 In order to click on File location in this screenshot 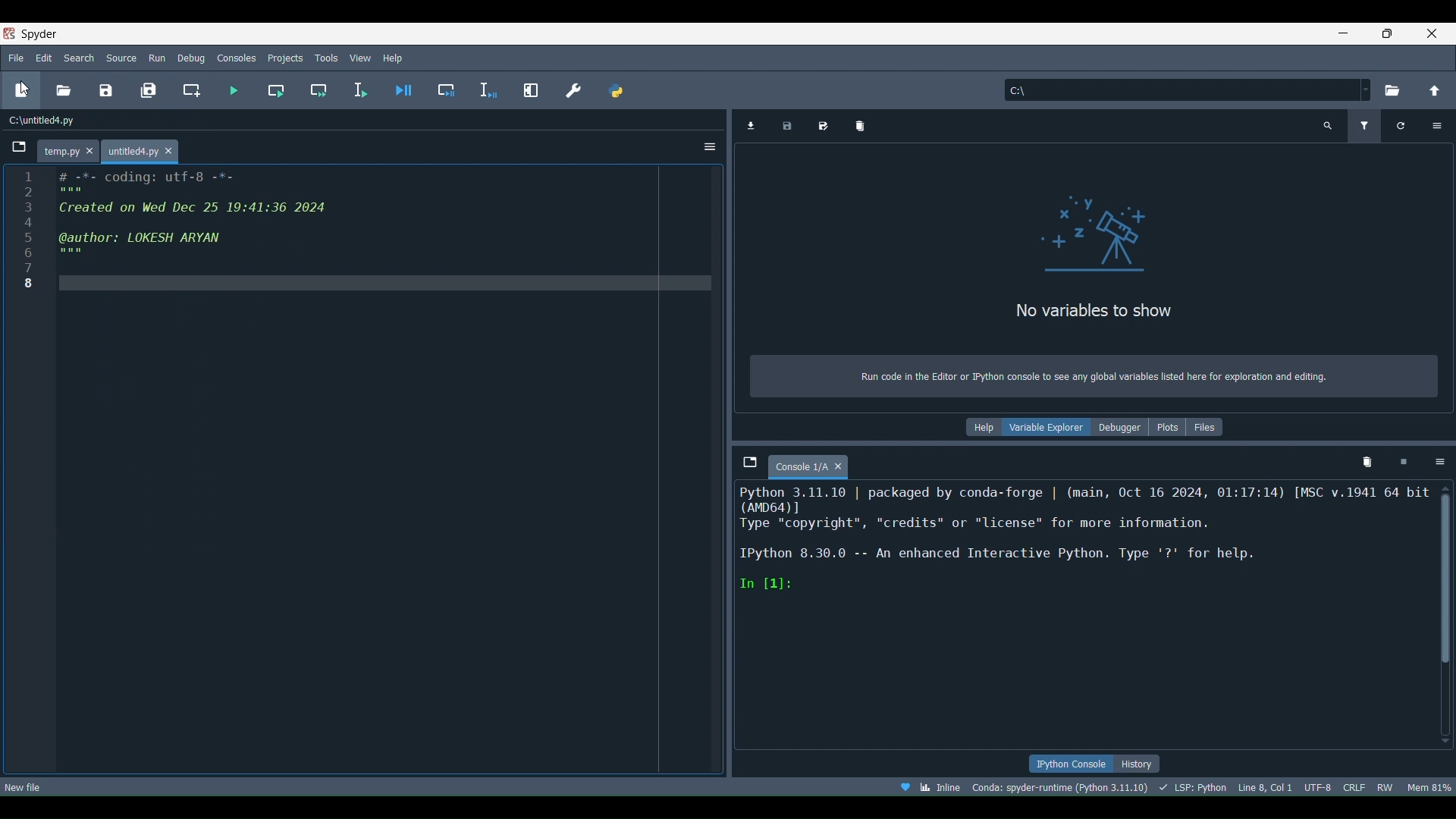, I will do `click(1185, 88)`.